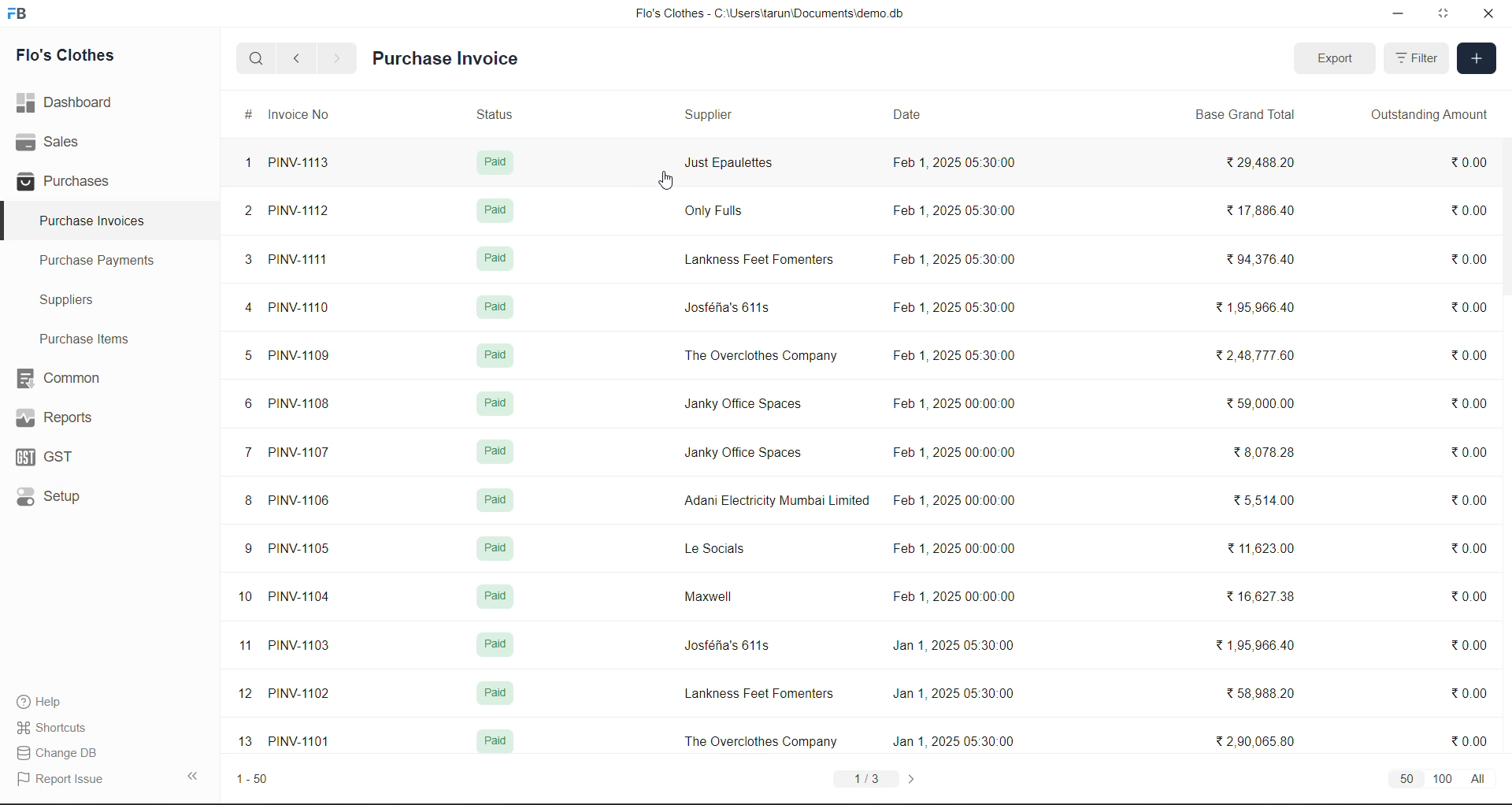 This screenshot has height=805, width=1512. Describe the element at coordinates (1265, 547) in the screenshot. I see `₹11,623.00` at that location.